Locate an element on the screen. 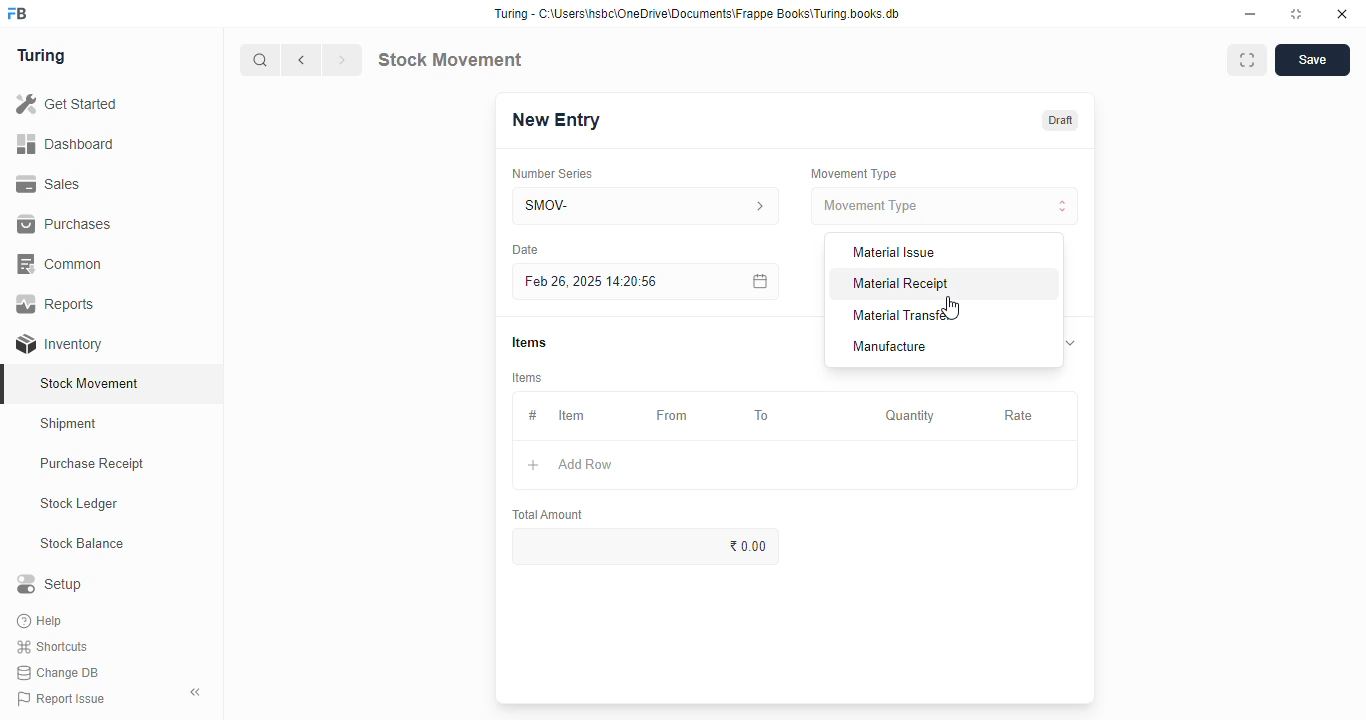 This screenshot has width=1366, height=720. add is located at coordinates (533, 465).